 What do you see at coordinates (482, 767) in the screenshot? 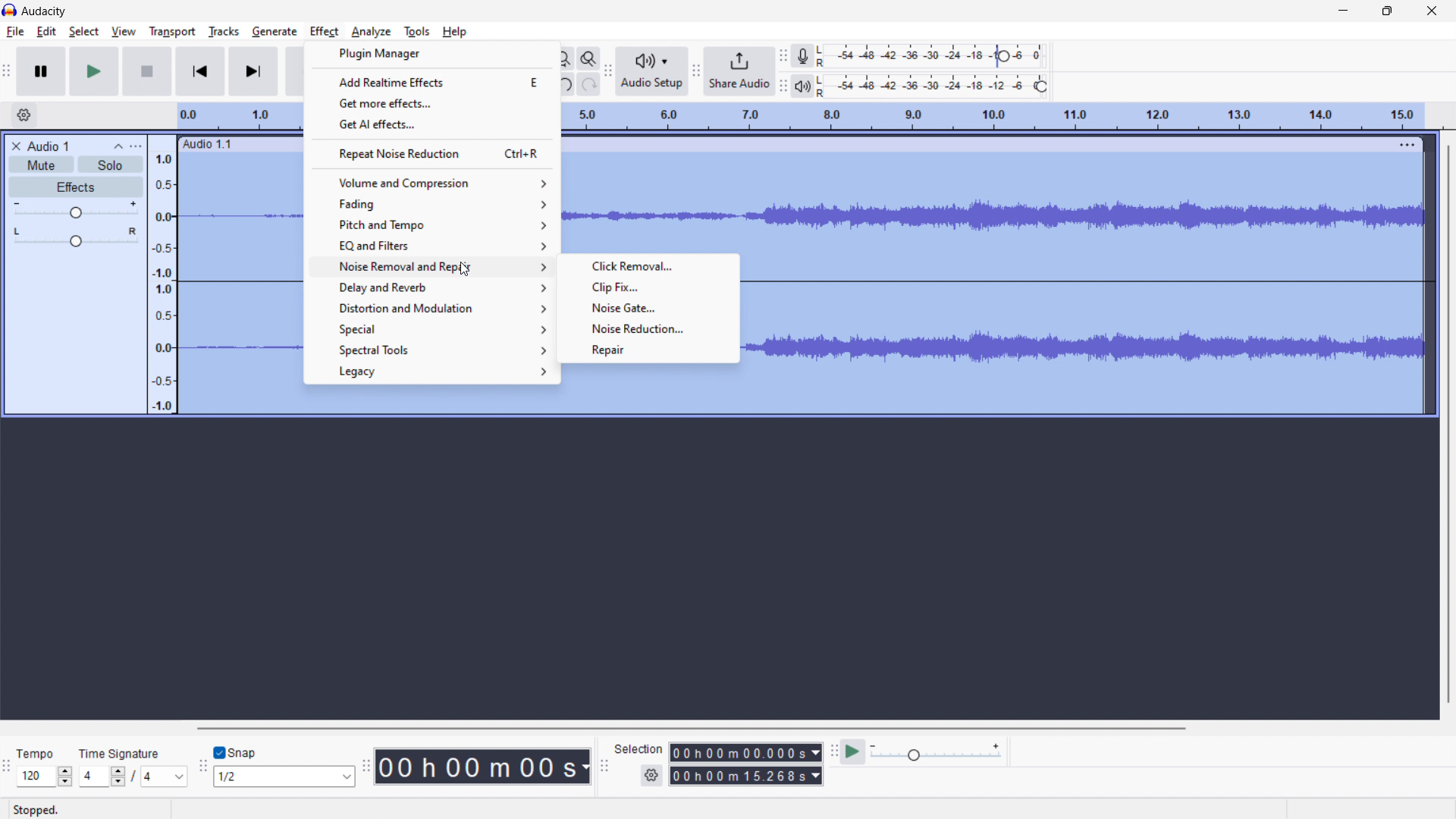
I see `time stamp` at bounding box center [482, 767].